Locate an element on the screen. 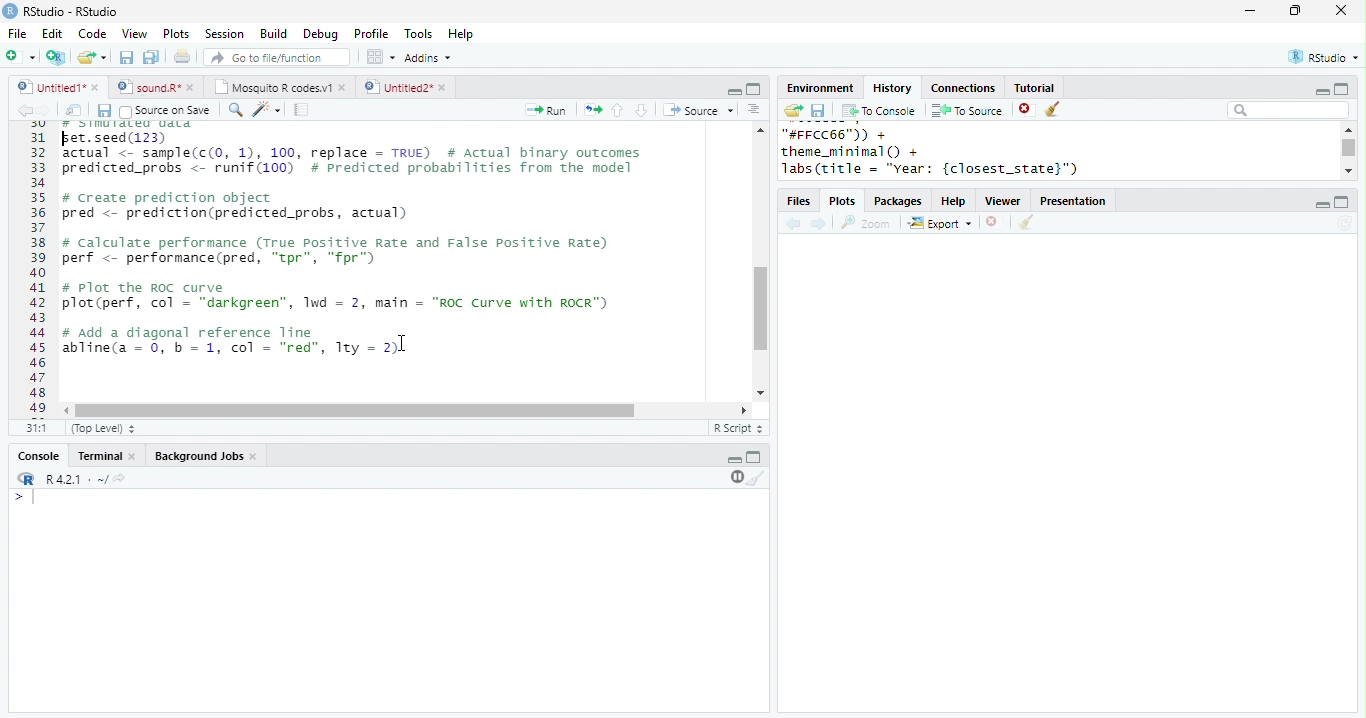  To source is located at coordinates (967, 110).